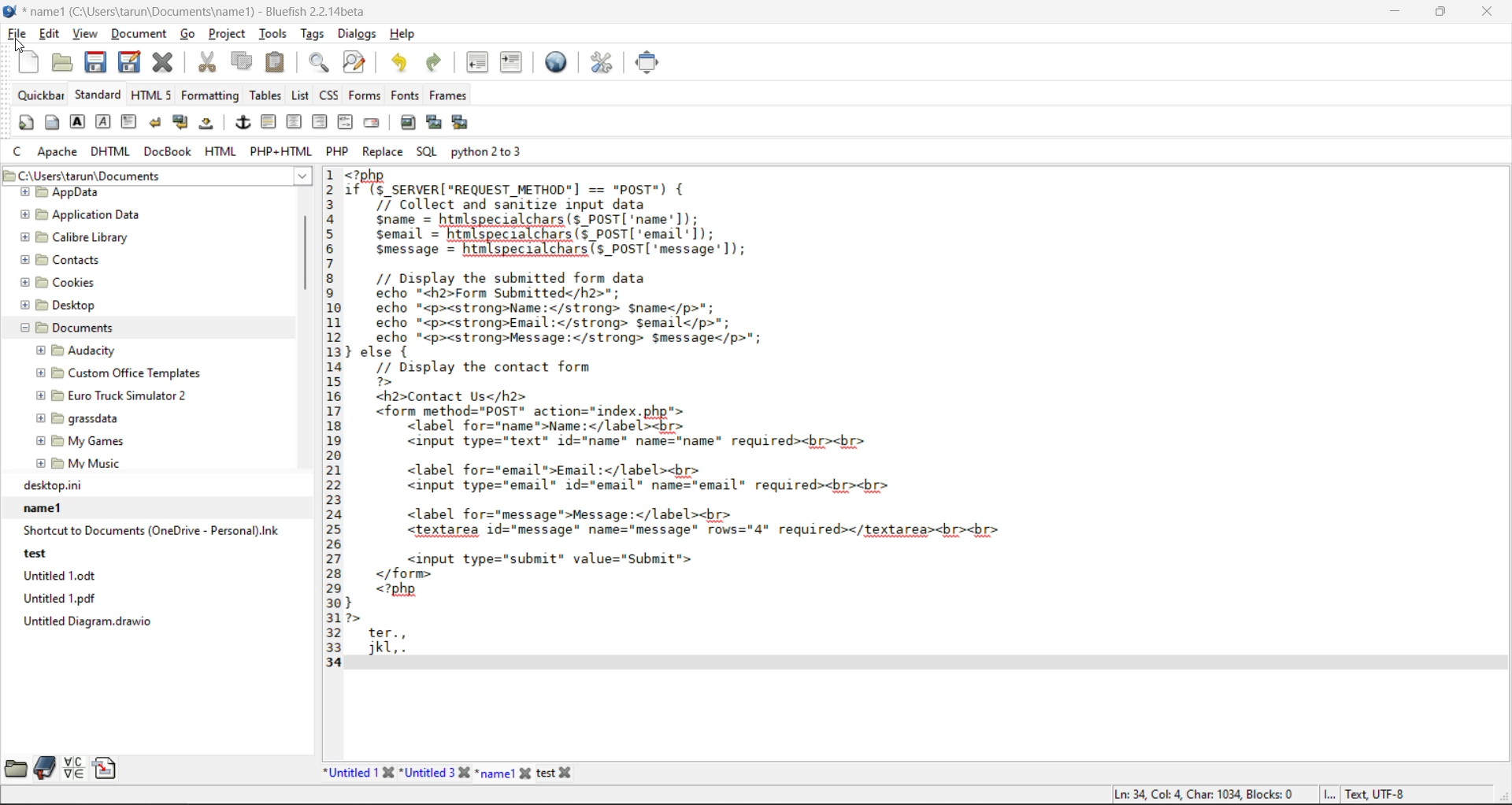 The height and width of the screenshot is (805, 1512). I want to click on dialogs, so click(357, 35).